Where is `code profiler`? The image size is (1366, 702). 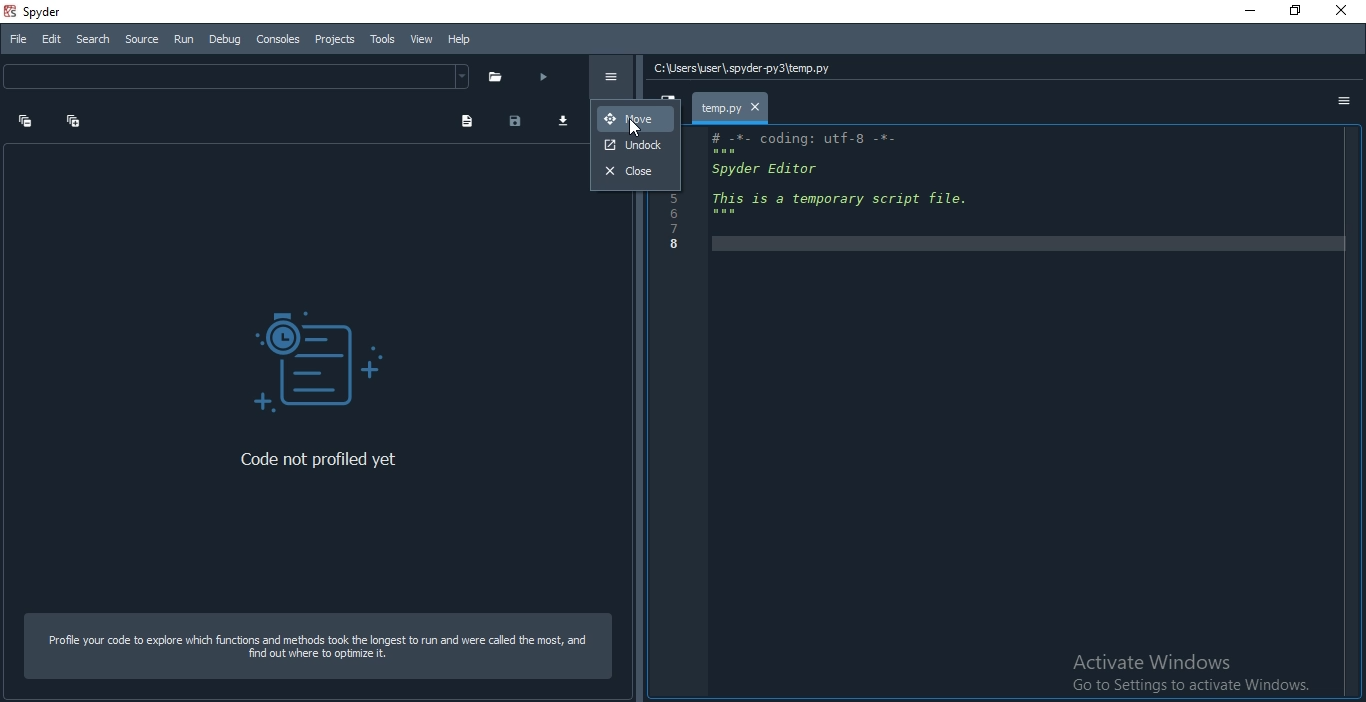
code profiler is located at coordinates (313, 357).